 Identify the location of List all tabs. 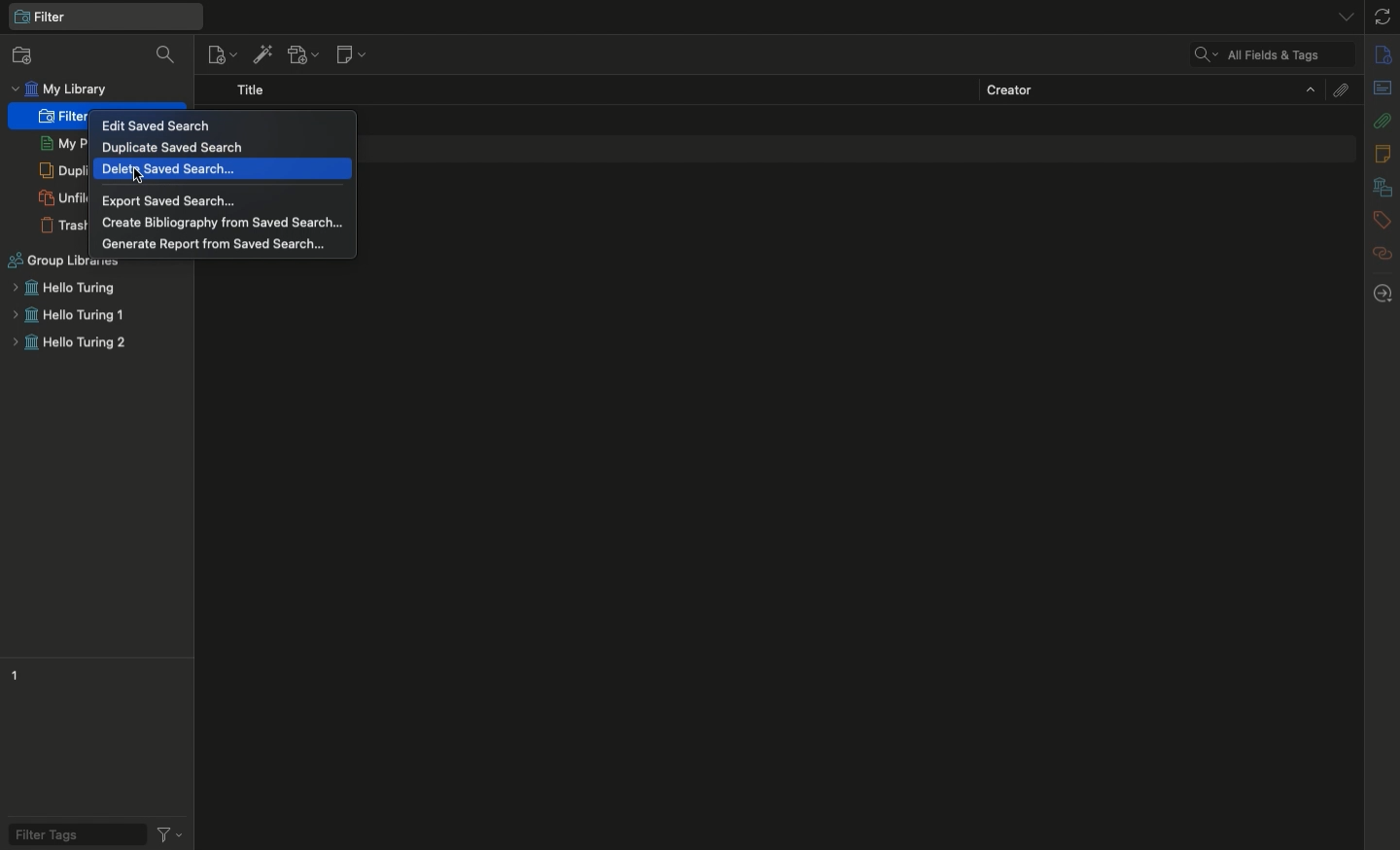
(1339, 16).